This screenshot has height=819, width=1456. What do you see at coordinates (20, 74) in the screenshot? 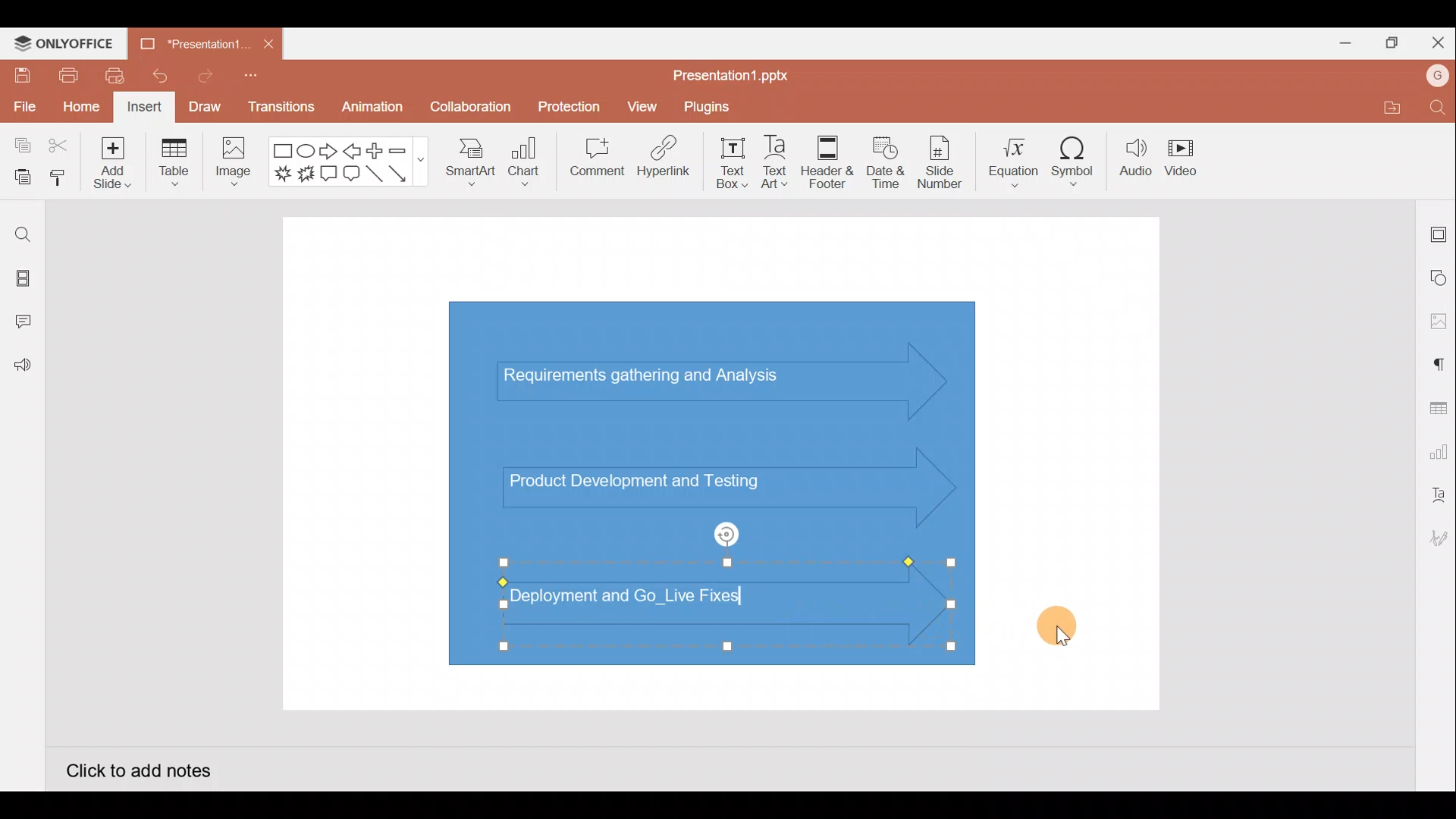
I see `Save` at bounding box center [20, 74].